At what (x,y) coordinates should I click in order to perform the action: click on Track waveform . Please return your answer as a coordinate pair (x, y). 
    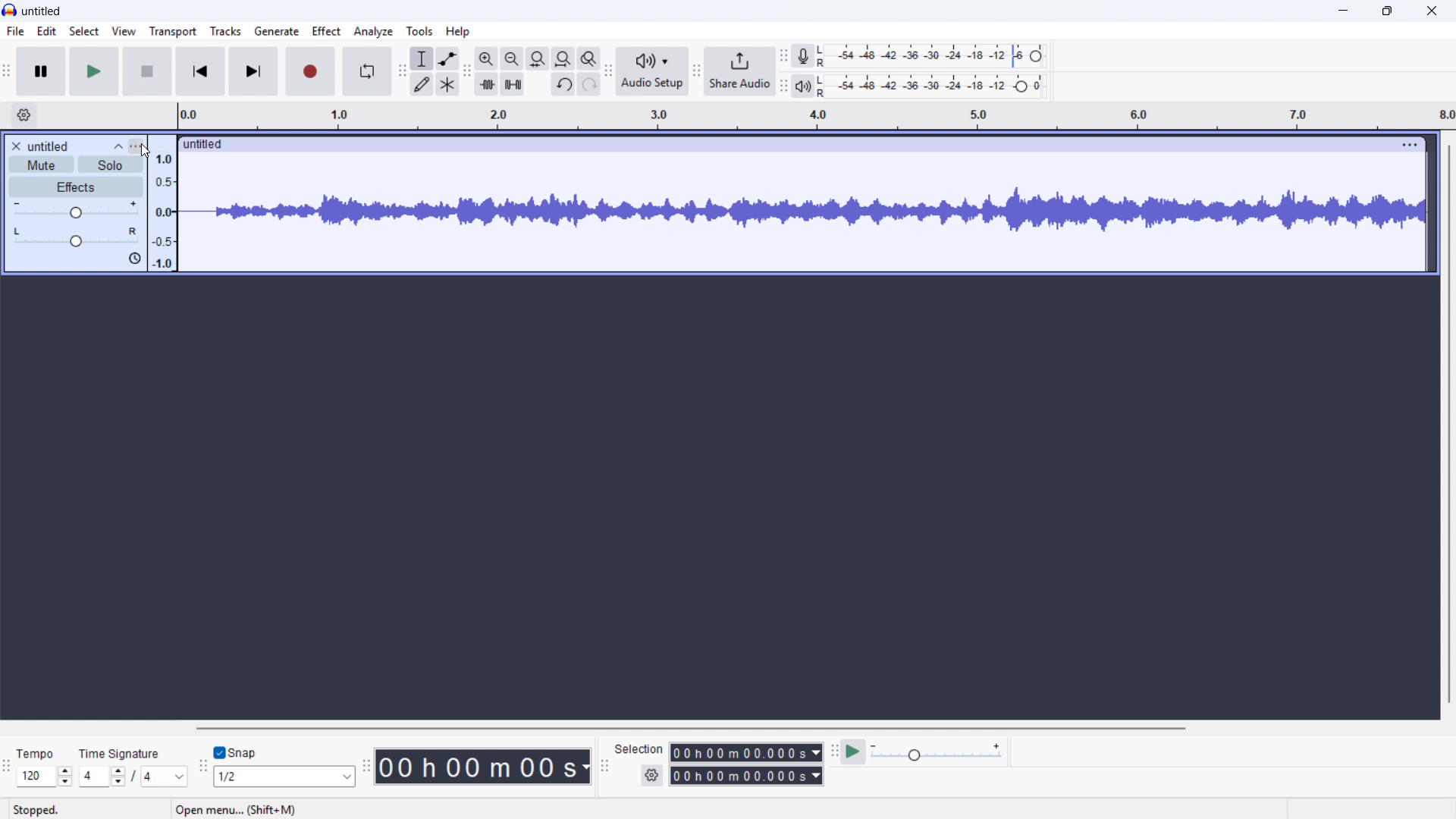
    Looking at the image, I should click on (802, 206).